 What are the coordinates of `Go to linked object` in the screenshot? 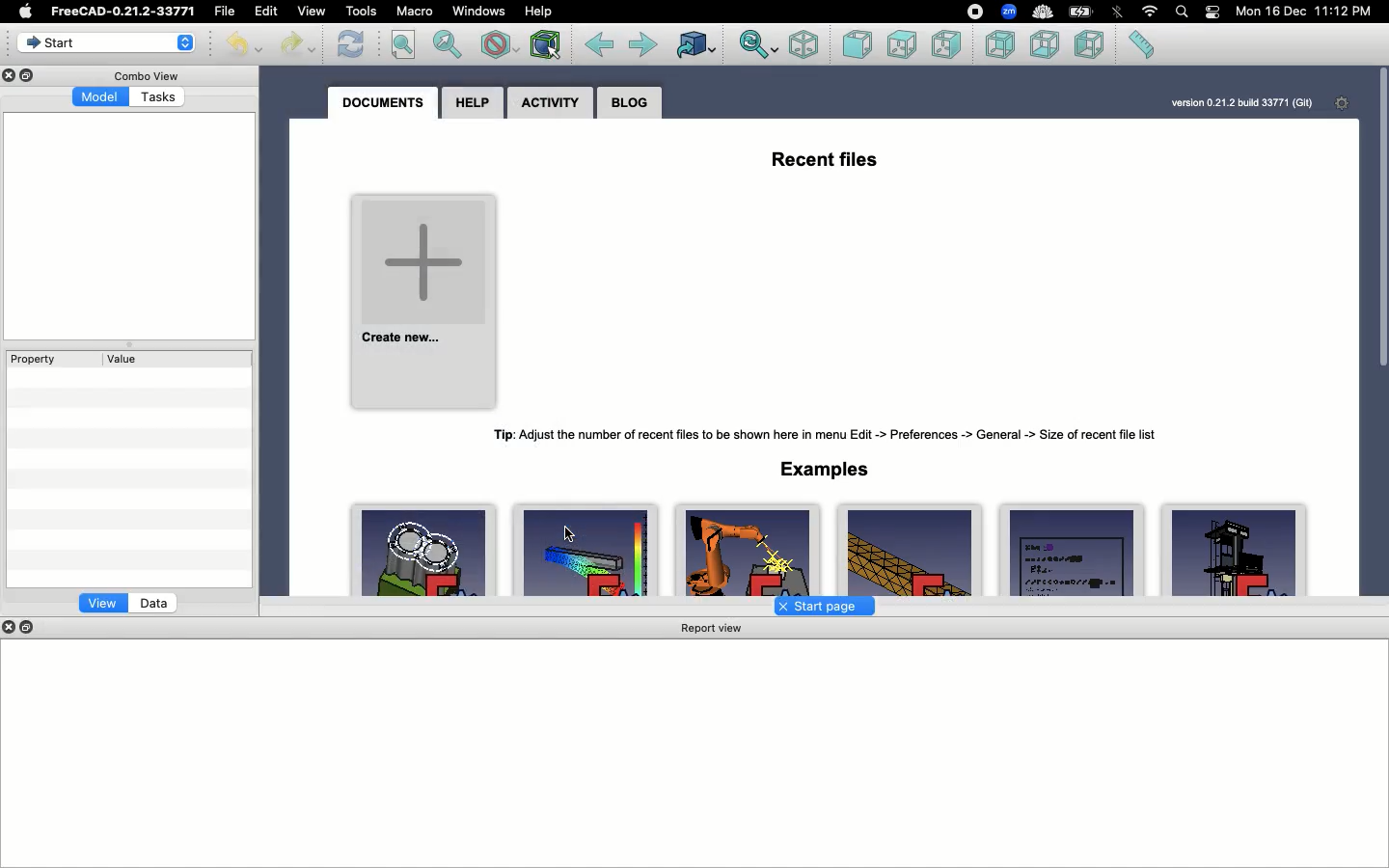 It's located at (694, 44).